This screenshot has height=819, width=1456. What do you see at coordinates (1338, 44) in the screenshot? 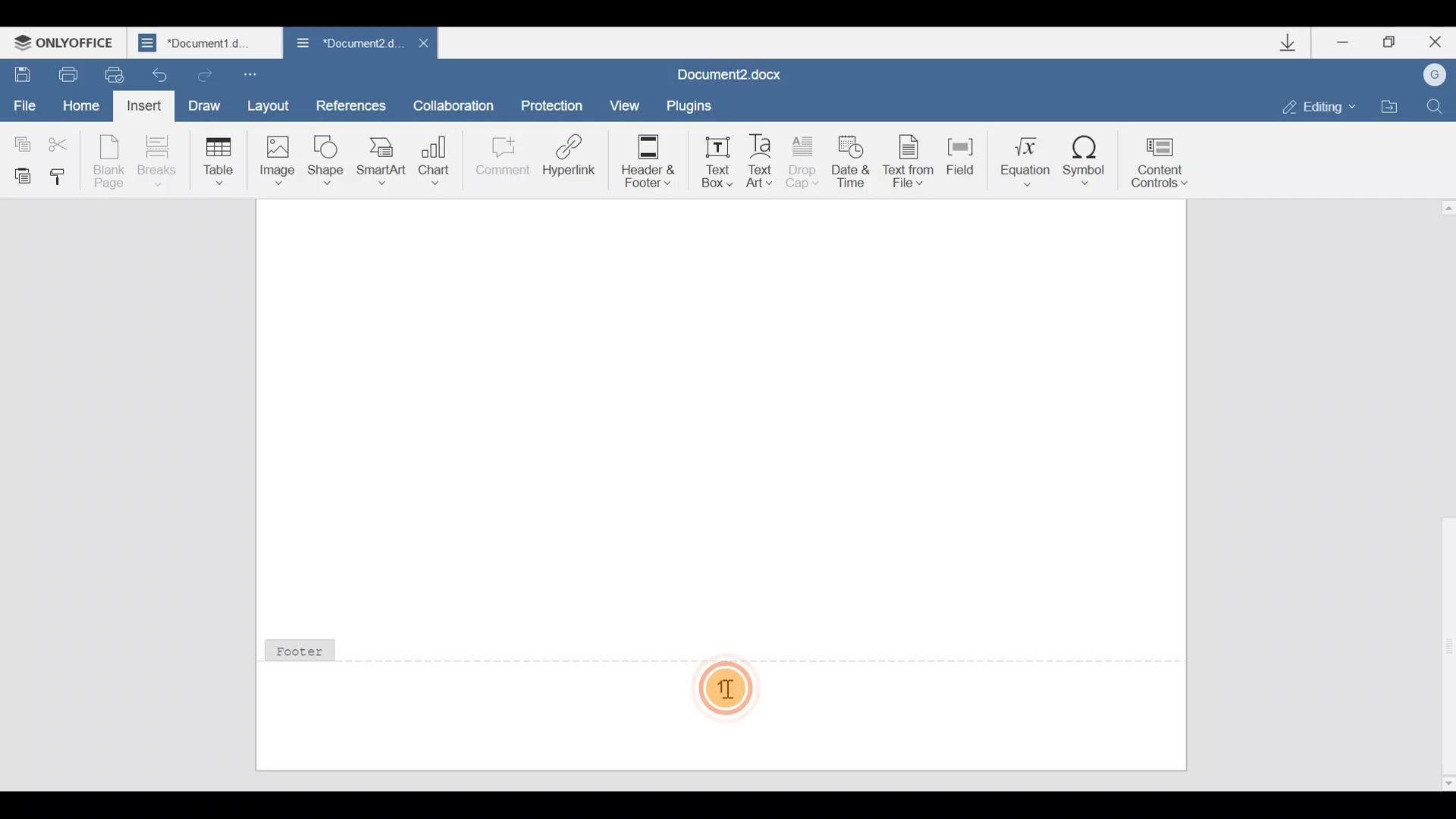
I see `Minimize` at bounding box center [1338, 44].